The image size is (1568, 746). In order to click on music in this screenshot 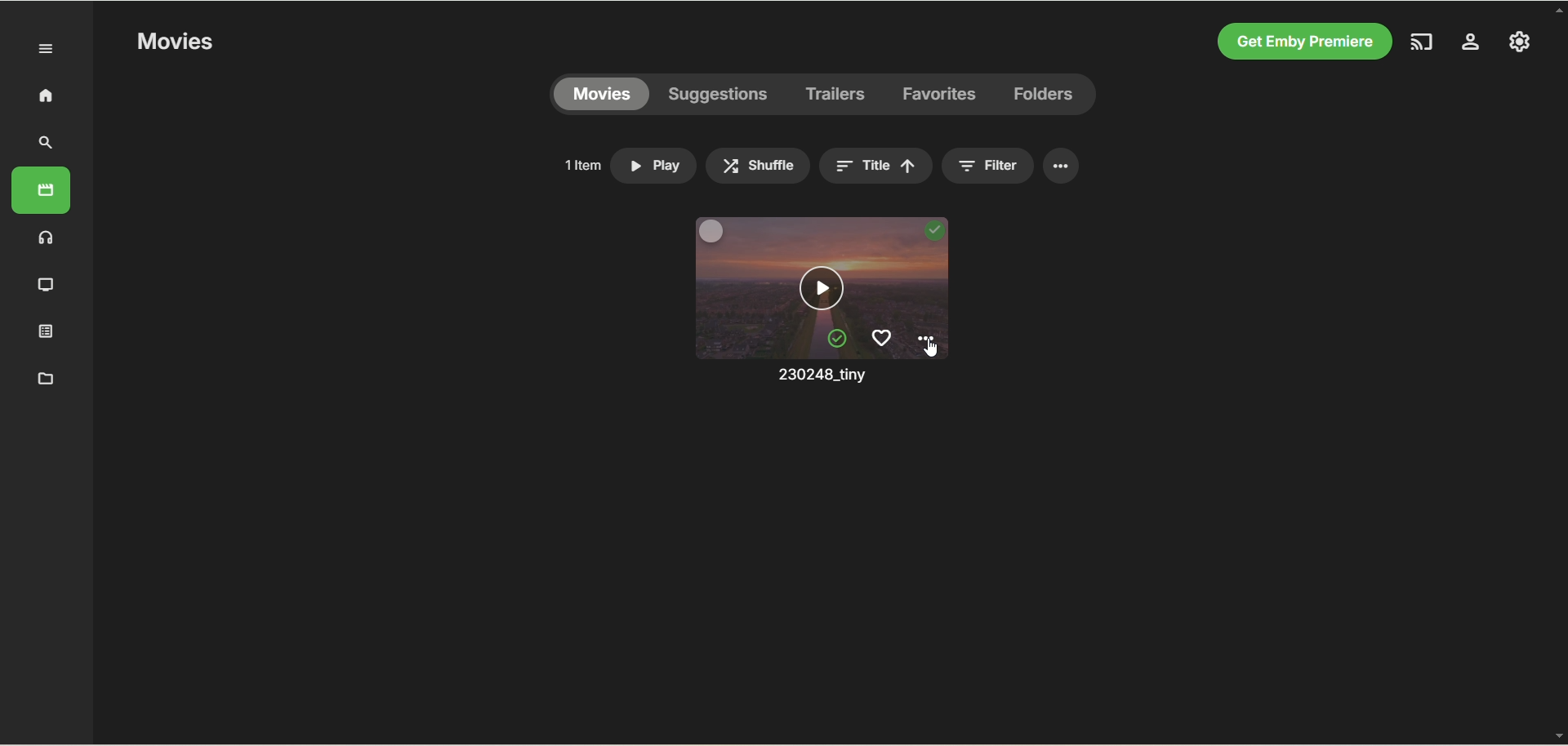, I will do `click(47, 237)`.